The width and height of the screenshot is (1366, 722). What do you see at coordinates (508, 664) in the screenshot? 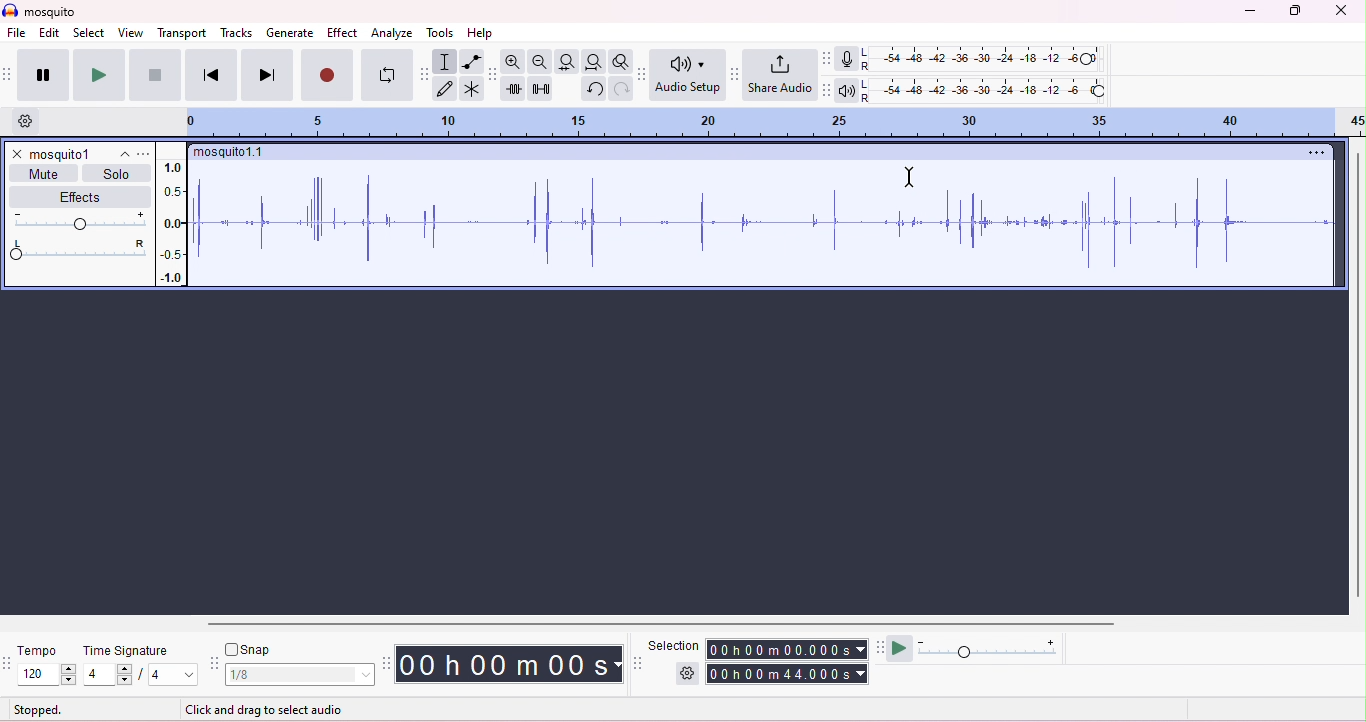
I see `time` at bounding box center [508, 664].